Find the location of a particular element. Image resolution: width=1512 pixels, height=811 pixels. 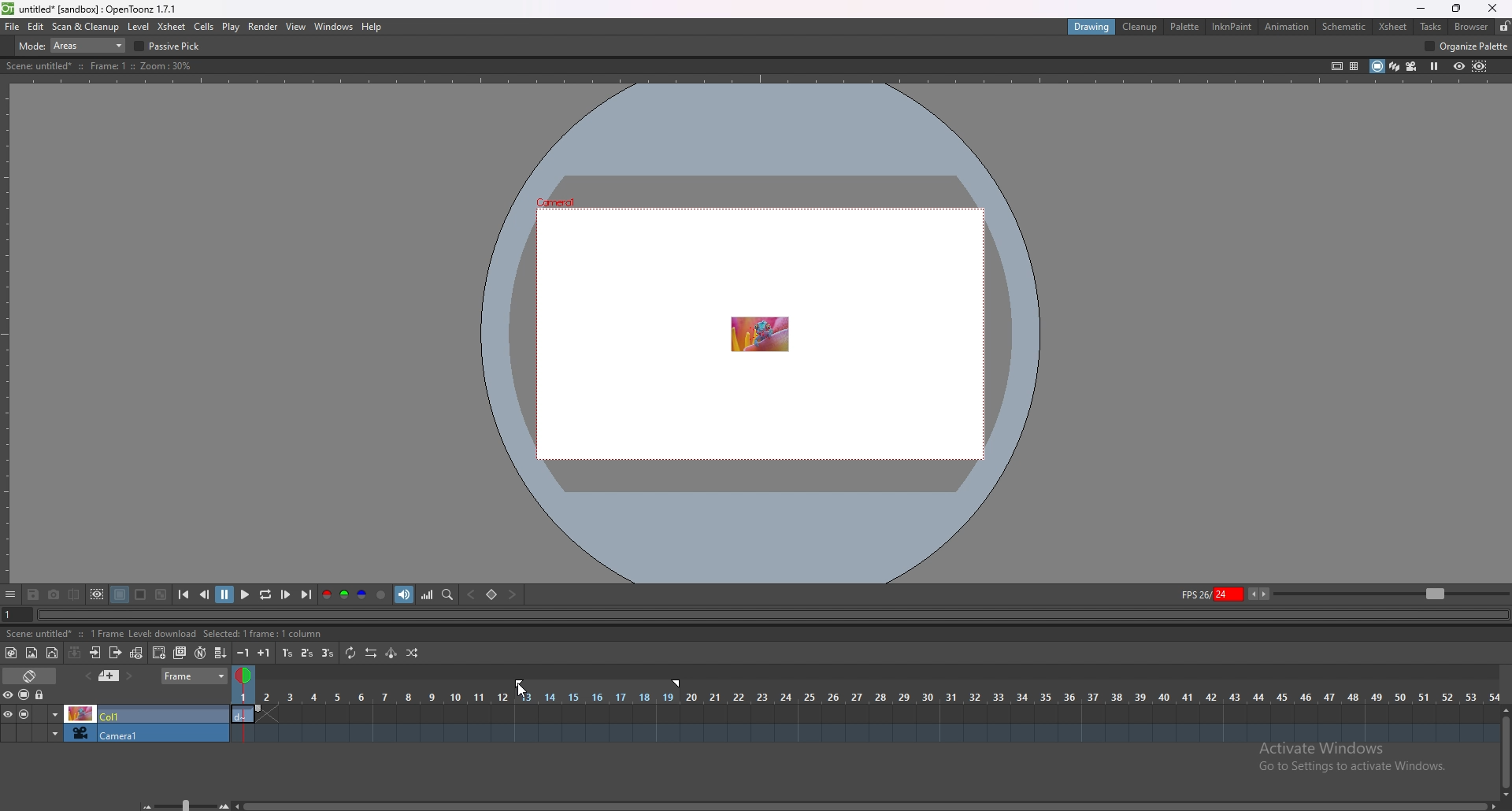

green channel is located at coordinates (345, 594).